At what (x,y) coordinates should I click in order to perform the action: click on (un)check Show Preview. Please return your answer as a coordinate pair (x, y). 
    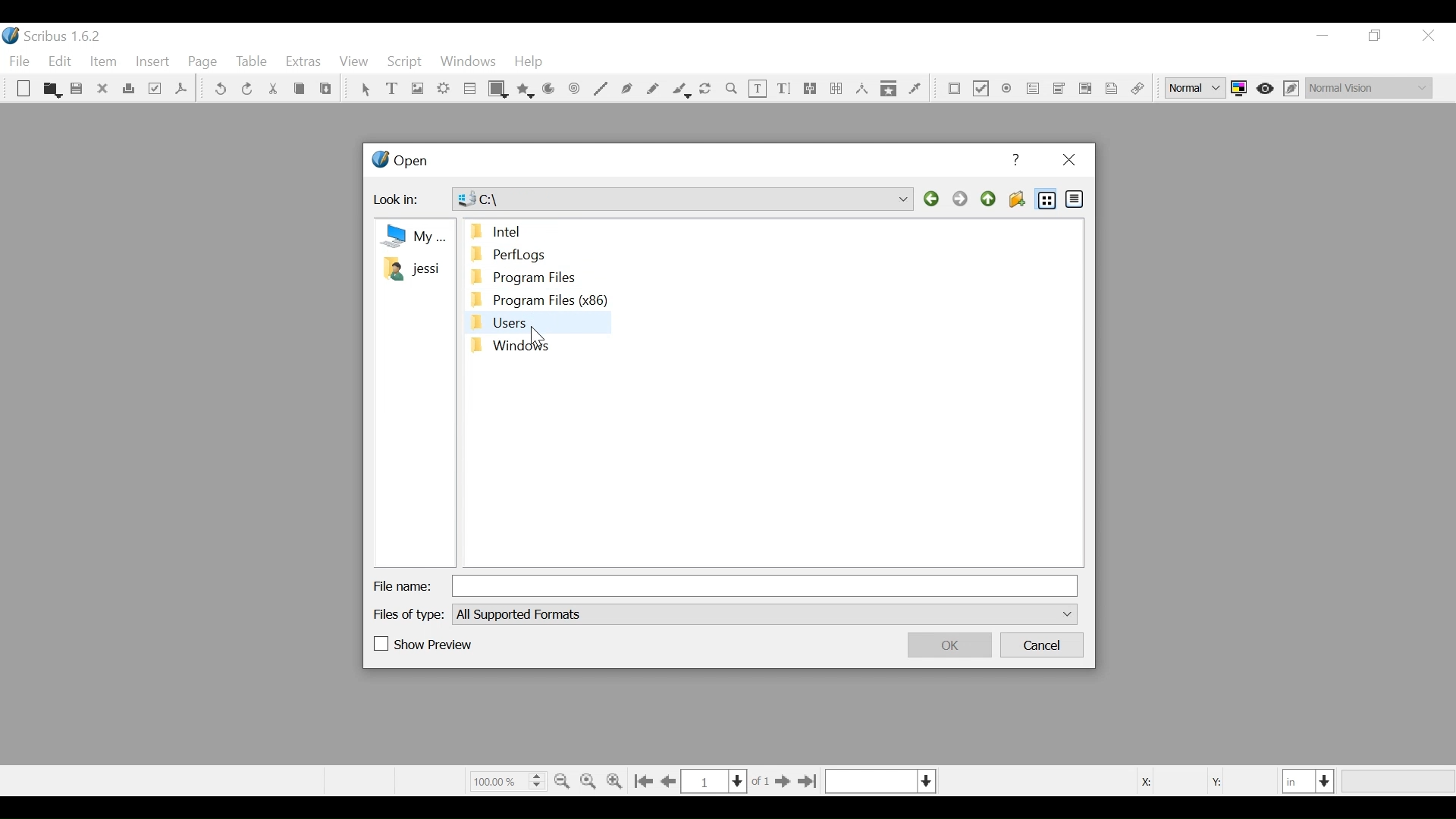
    Looking at the image, I should click on (424, 645).